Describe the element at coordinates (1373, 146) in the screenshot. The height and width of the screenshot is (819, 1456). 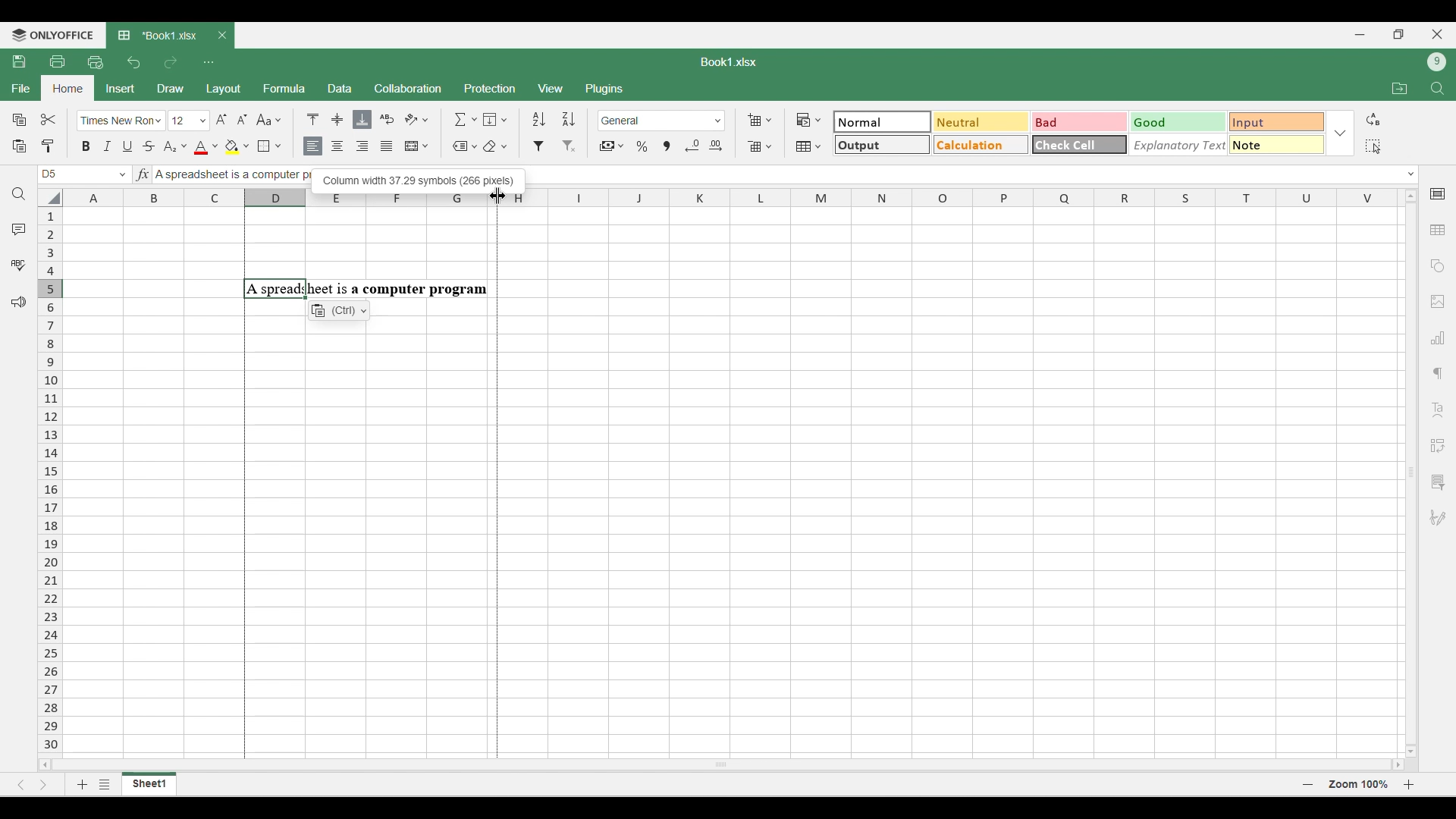
I see `Select all` at that location.